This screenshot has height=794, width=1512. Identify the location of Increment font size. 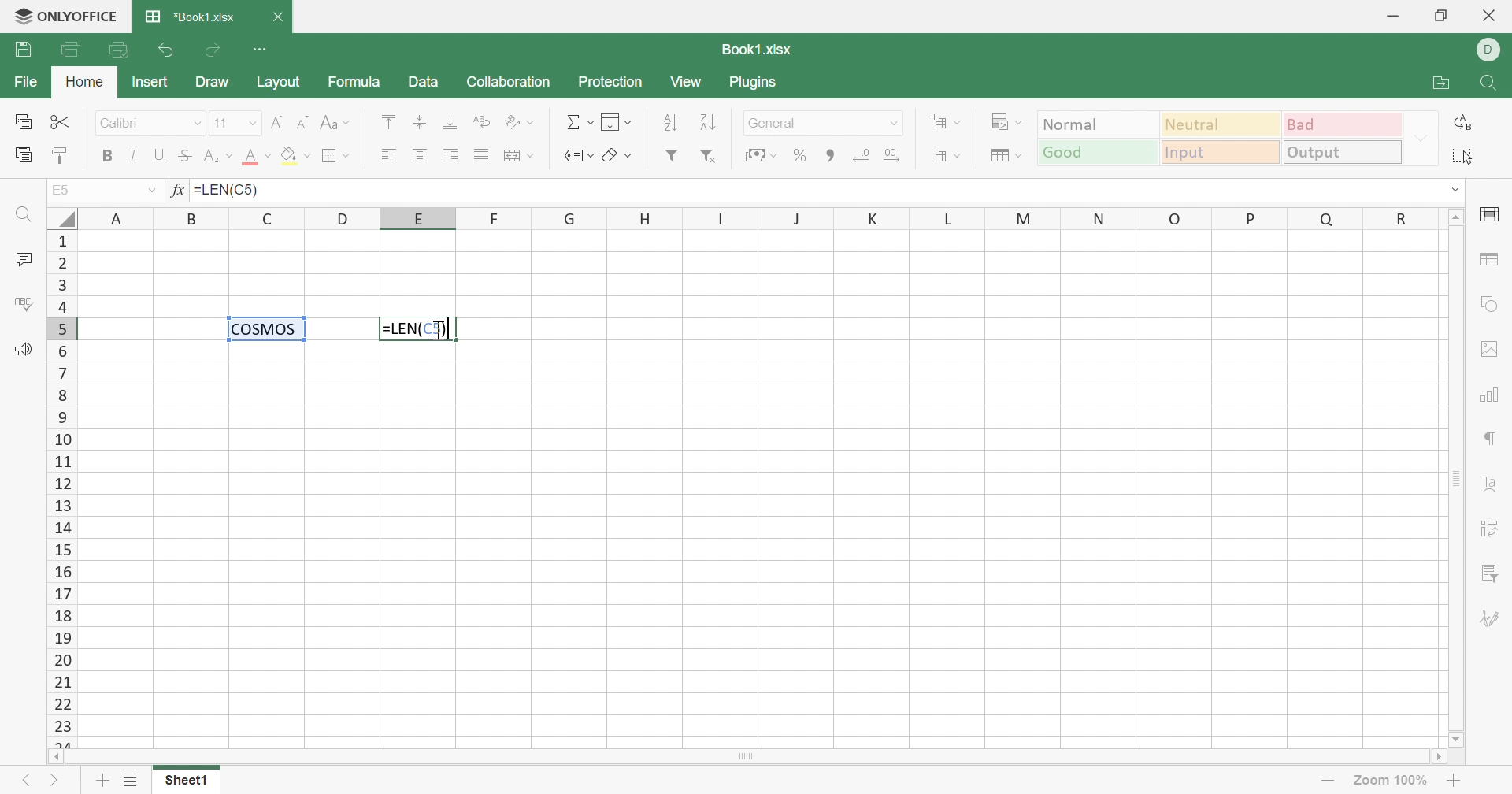
(279, 121).